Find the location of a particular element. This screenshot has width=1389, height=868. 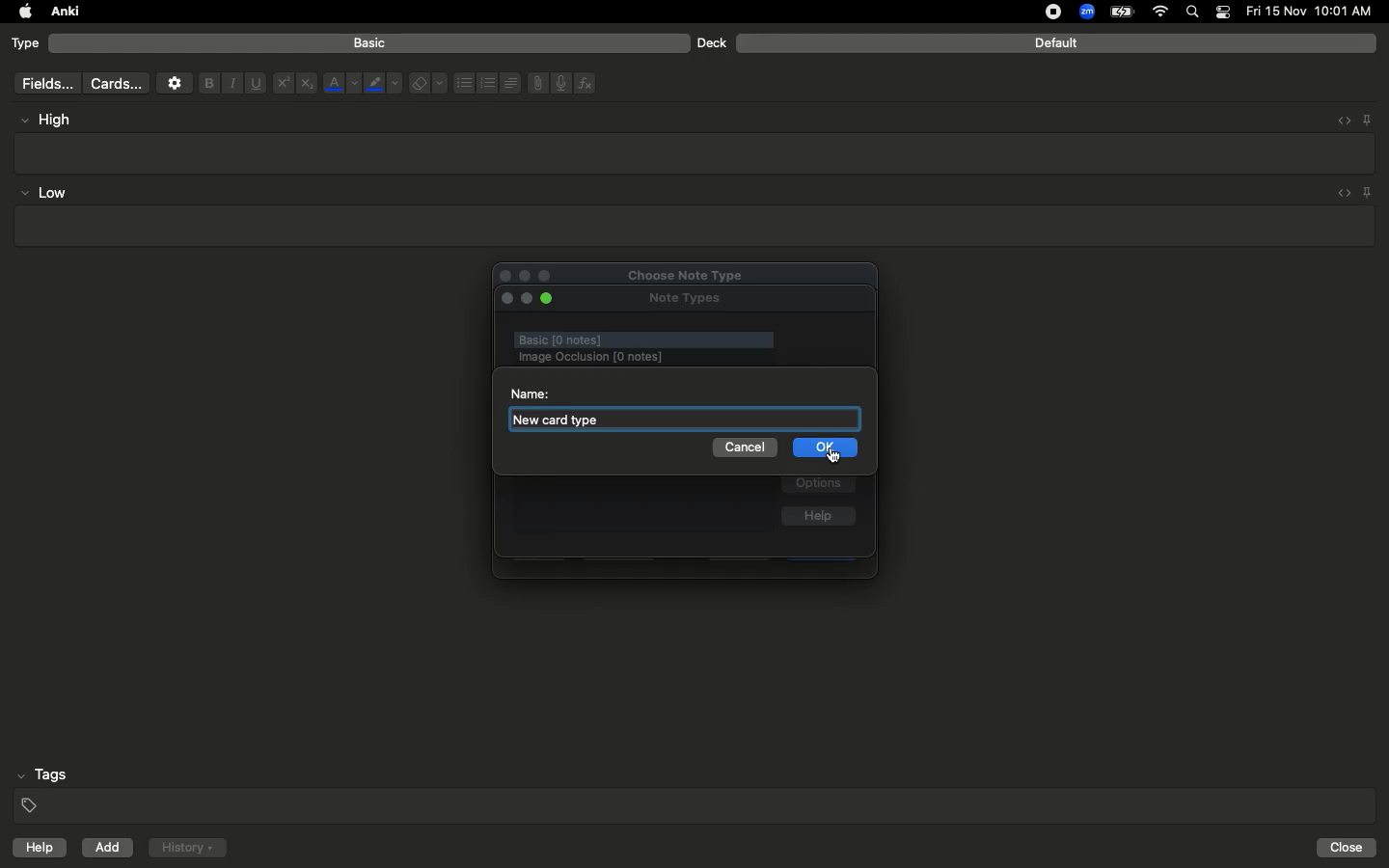

Cards is located at coordinates (116, 84).